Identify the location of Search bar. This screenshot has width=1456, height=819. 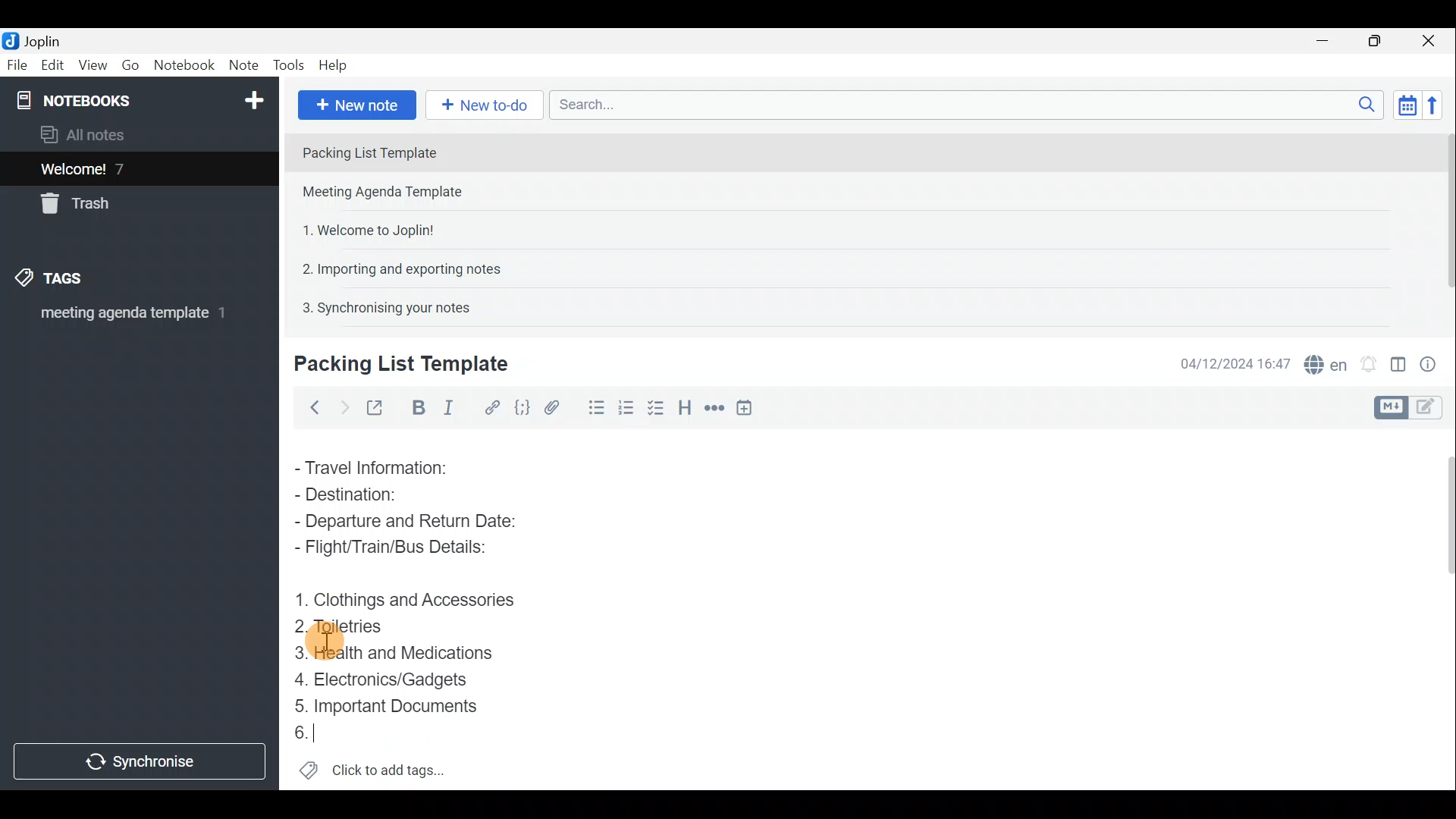
(962, 106).